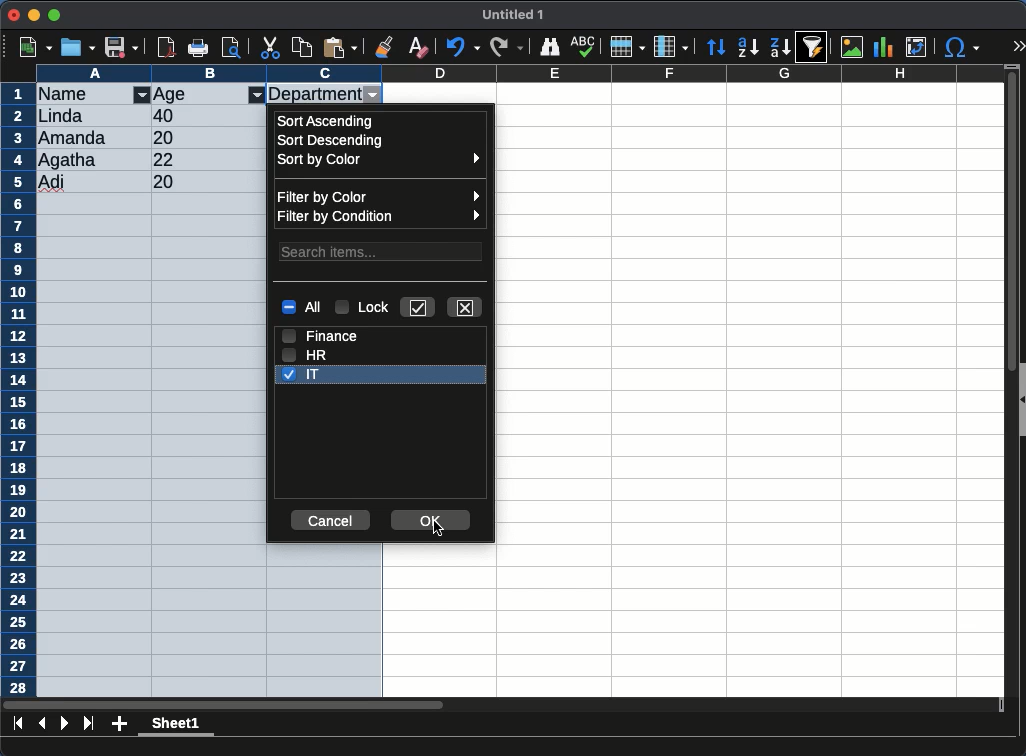  I want to click on save, so click(122, 47).